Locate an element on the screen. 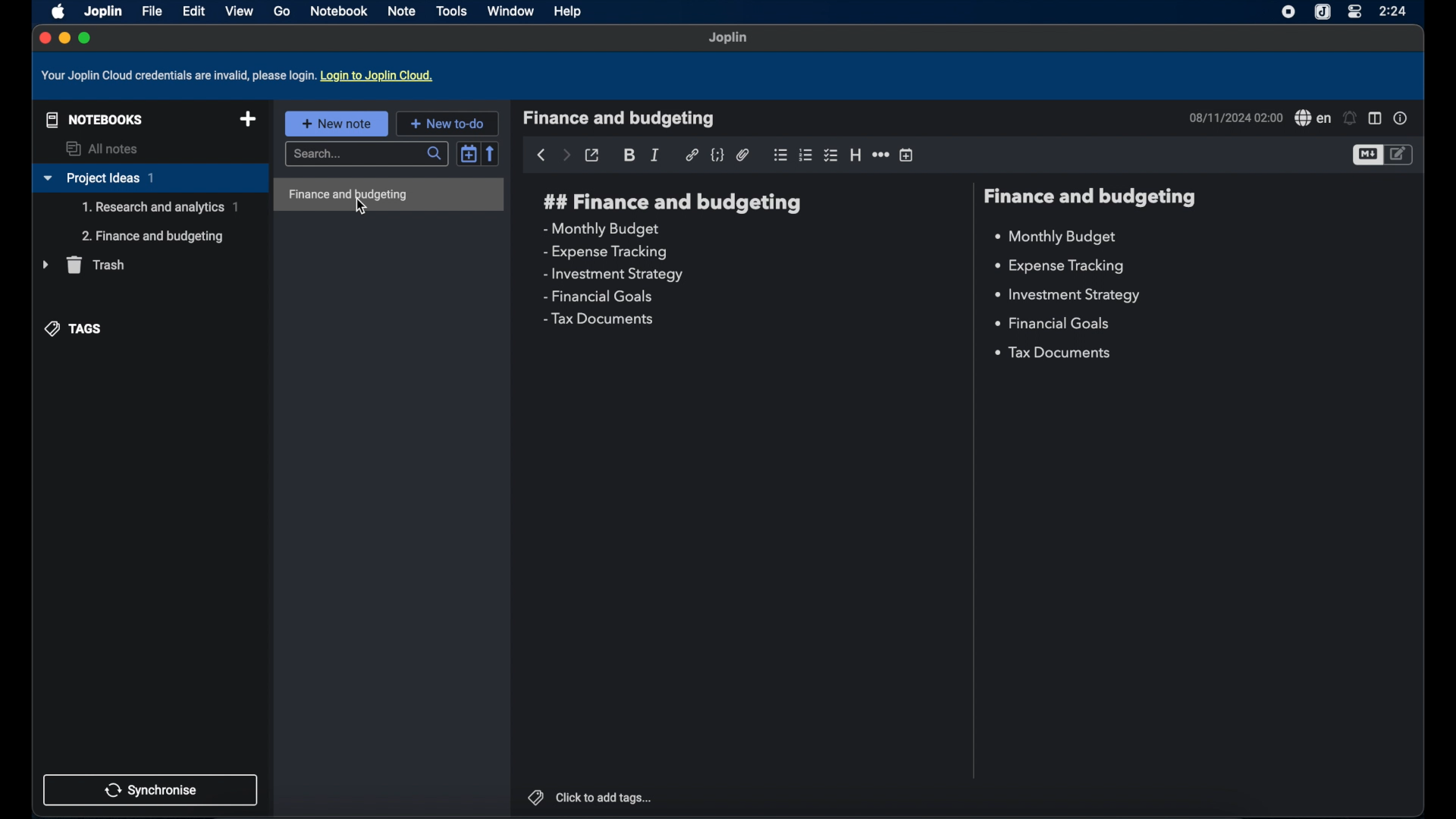 This screenshot has width=1456, height=819. financial goals is located at coordinates (598, 297).